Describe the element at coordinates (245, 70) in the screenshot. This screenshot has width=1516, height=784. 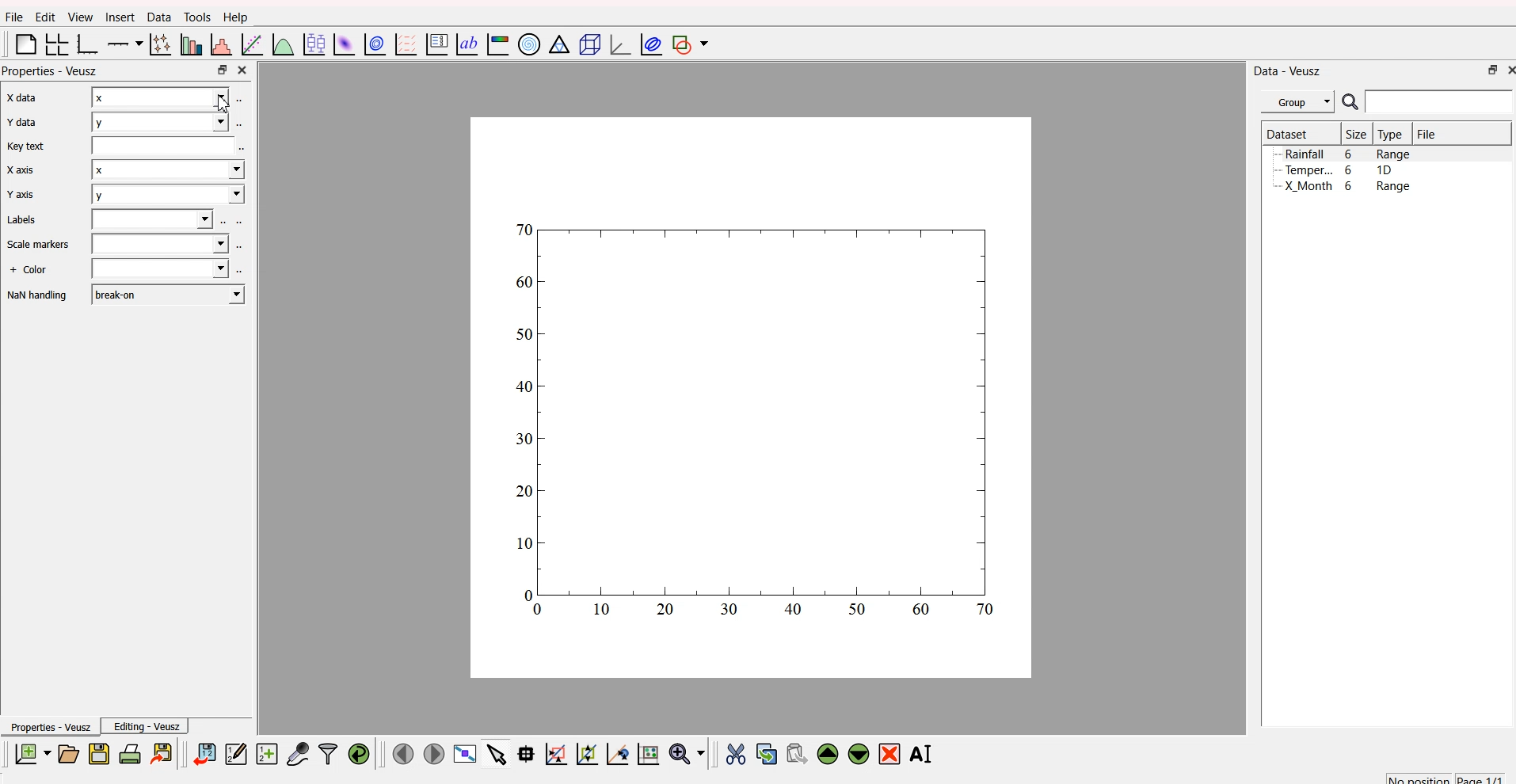
I see `close` at that location.